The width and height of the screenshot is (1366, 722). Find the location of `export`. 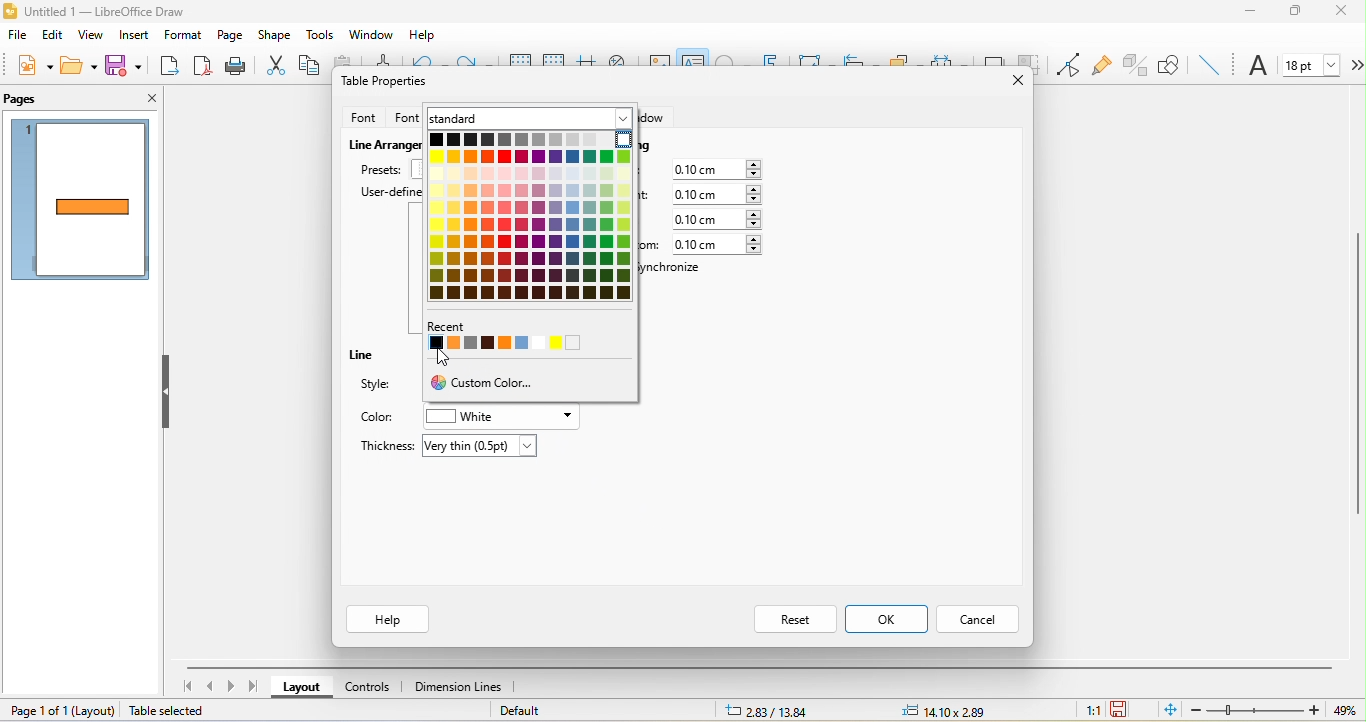

export is located at coordinates (168, 65).